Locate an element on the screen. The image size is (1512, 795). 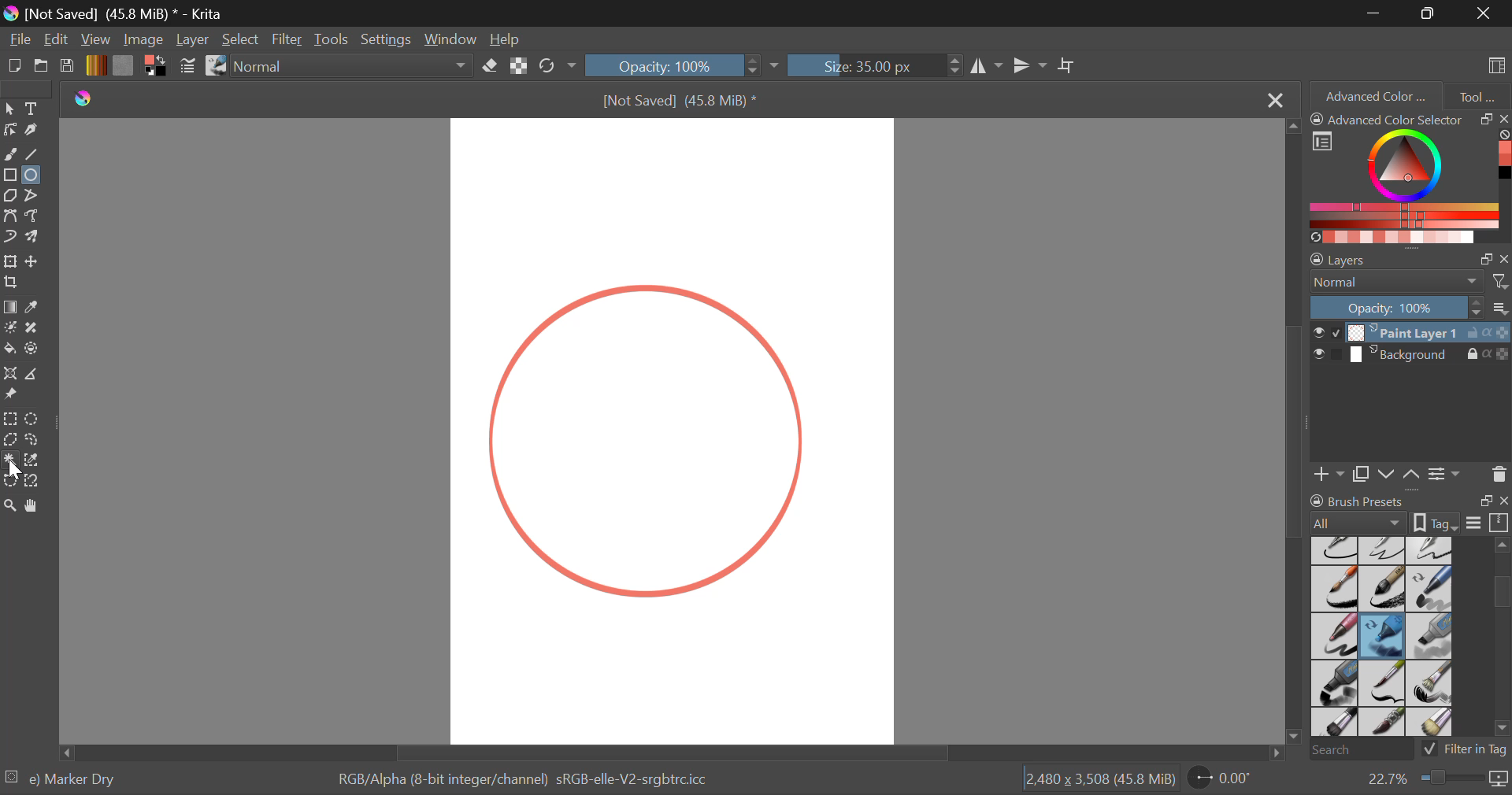
Open is located at coordinates (43, 68).